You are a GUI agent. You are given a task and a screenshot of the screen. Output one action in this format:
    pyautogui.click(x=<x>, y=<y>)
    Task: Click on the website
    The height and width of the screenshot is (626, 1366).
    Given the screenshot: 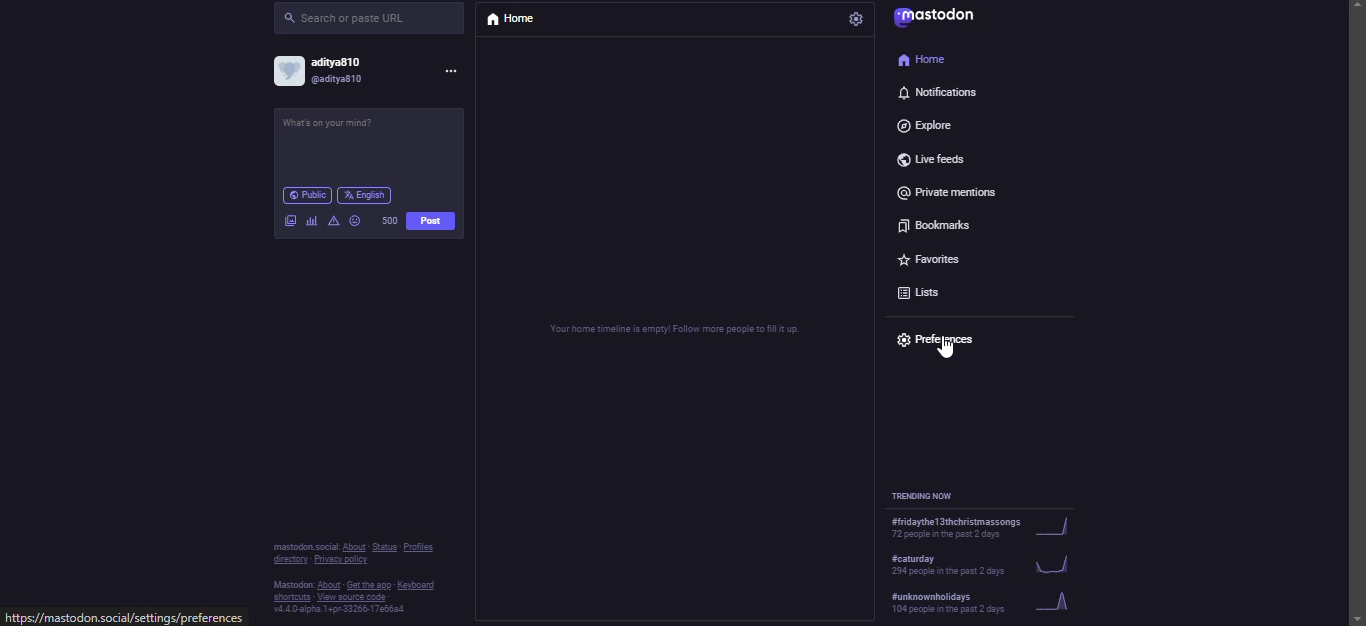 What is the action you would take?
    pyautogui.click(x=123, y=616)
    